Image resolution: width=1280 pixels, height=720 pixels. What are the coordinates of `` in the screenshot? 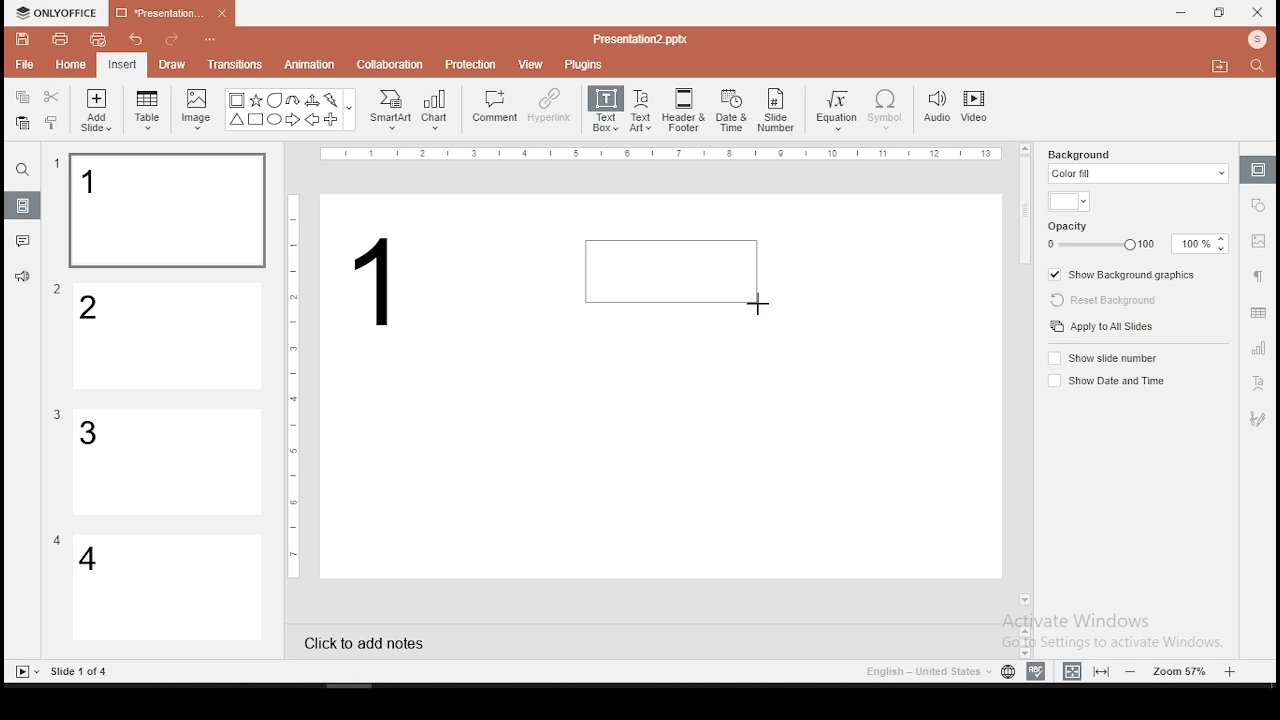 It's located at (350, 111).